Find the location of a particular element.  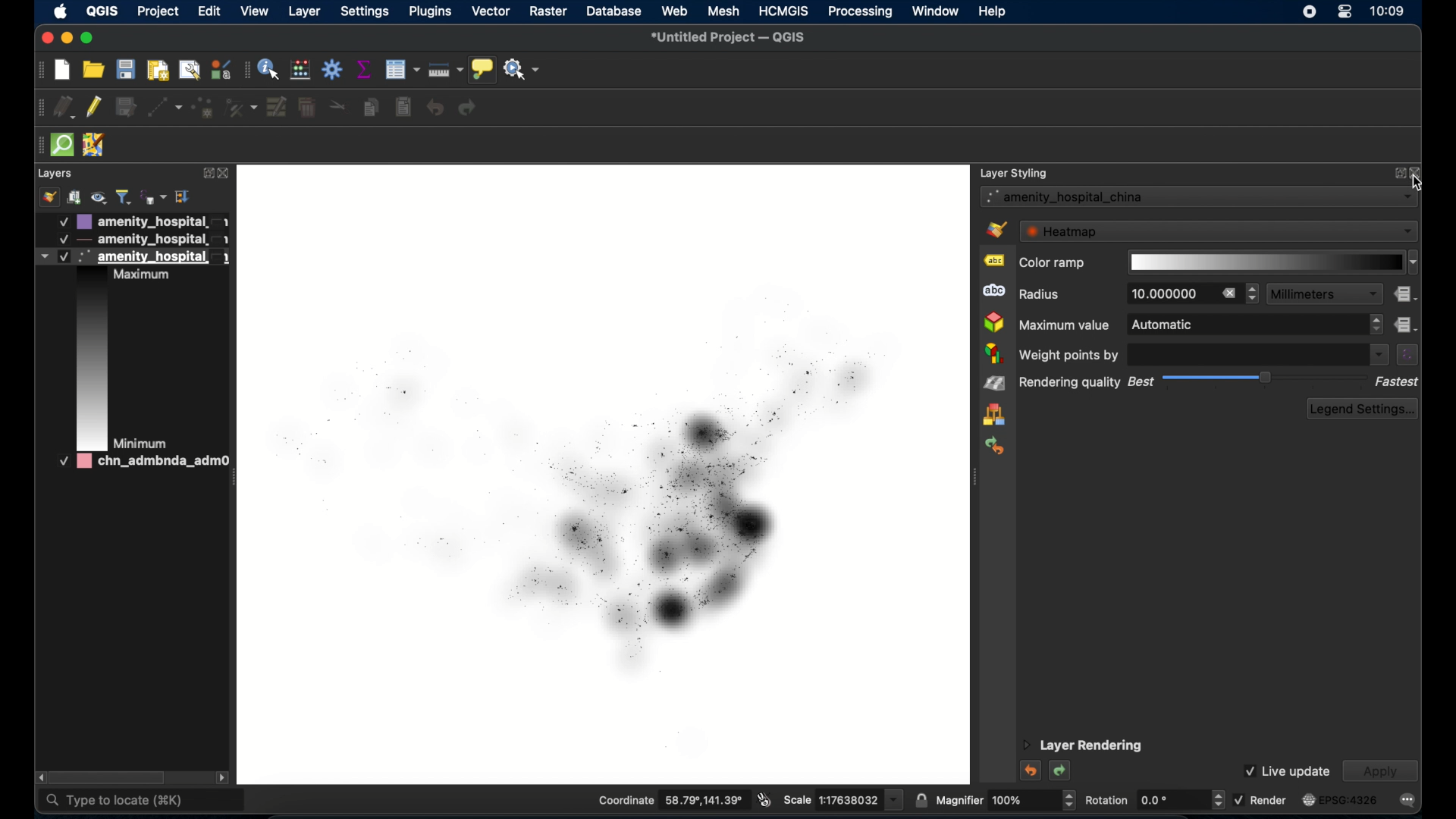

vertex tool is located at coordinates (242, 108).